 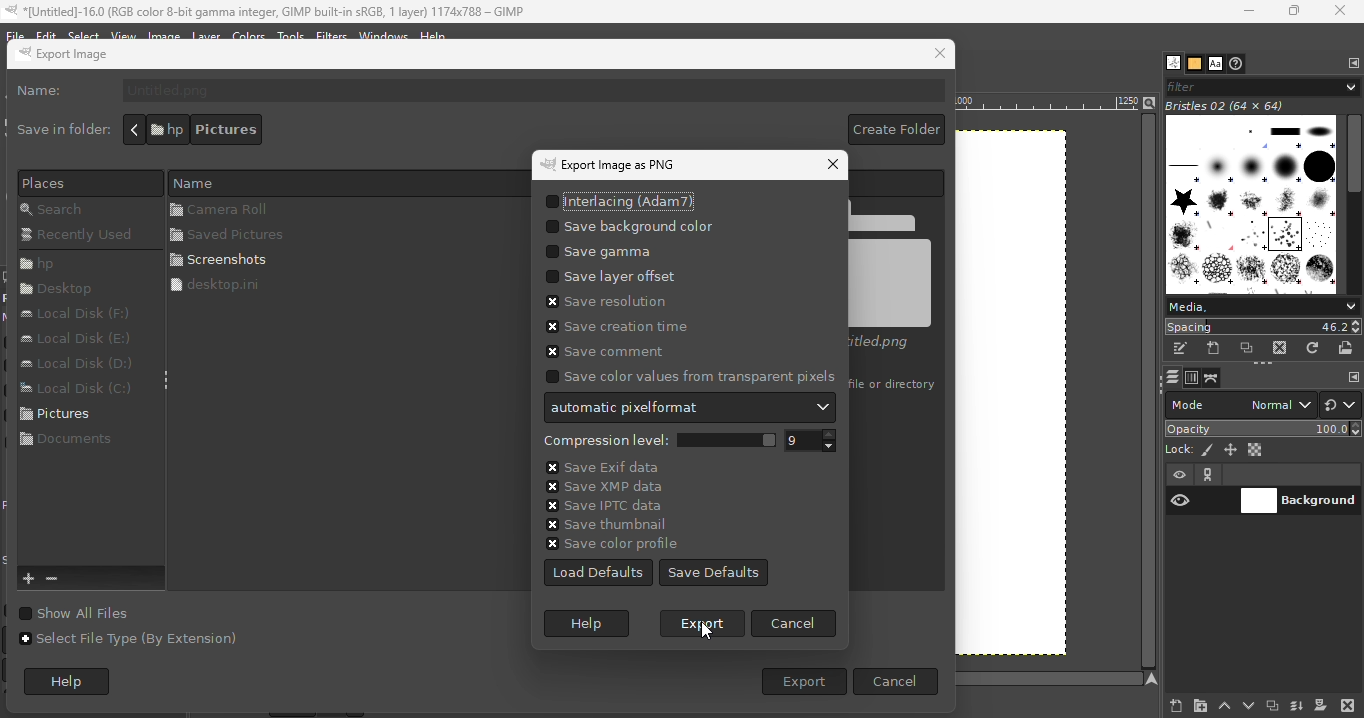 What do you see at coordinates (81, 182) in the screenshot?
I see `Pixels` at bounding box center [81, 182].